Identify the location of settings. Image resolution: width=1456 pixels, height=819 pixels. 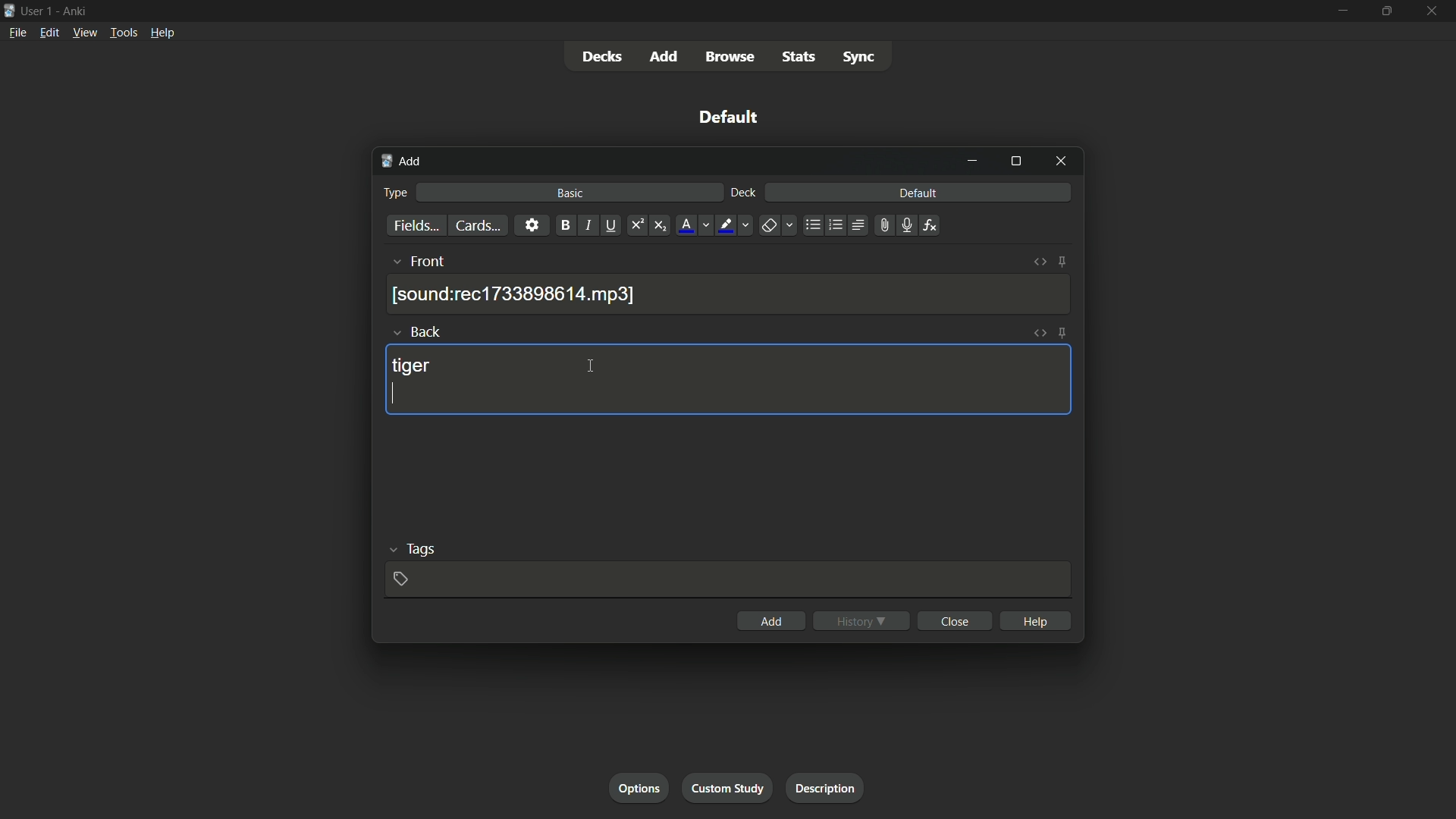
(531, 225).